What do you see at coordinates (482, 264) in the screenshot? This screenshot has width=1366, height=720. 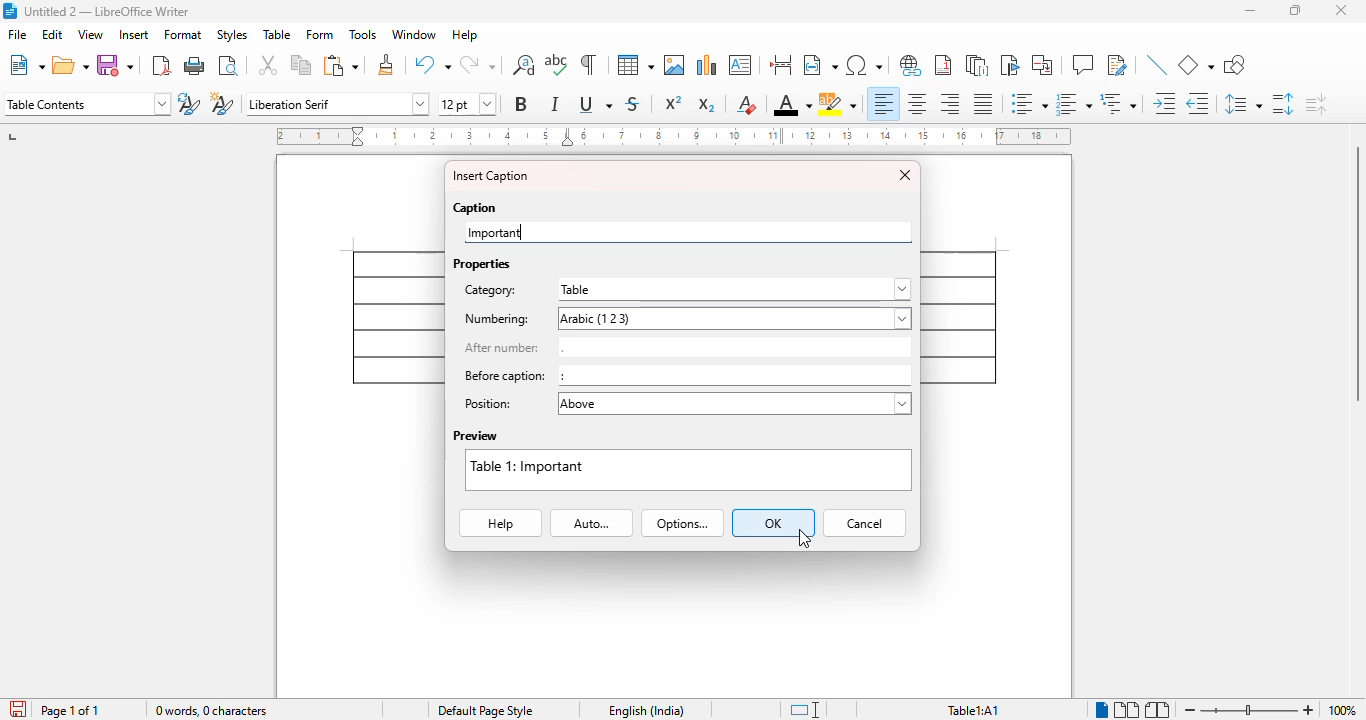 I see `properties` at bounding box center [482, 264].